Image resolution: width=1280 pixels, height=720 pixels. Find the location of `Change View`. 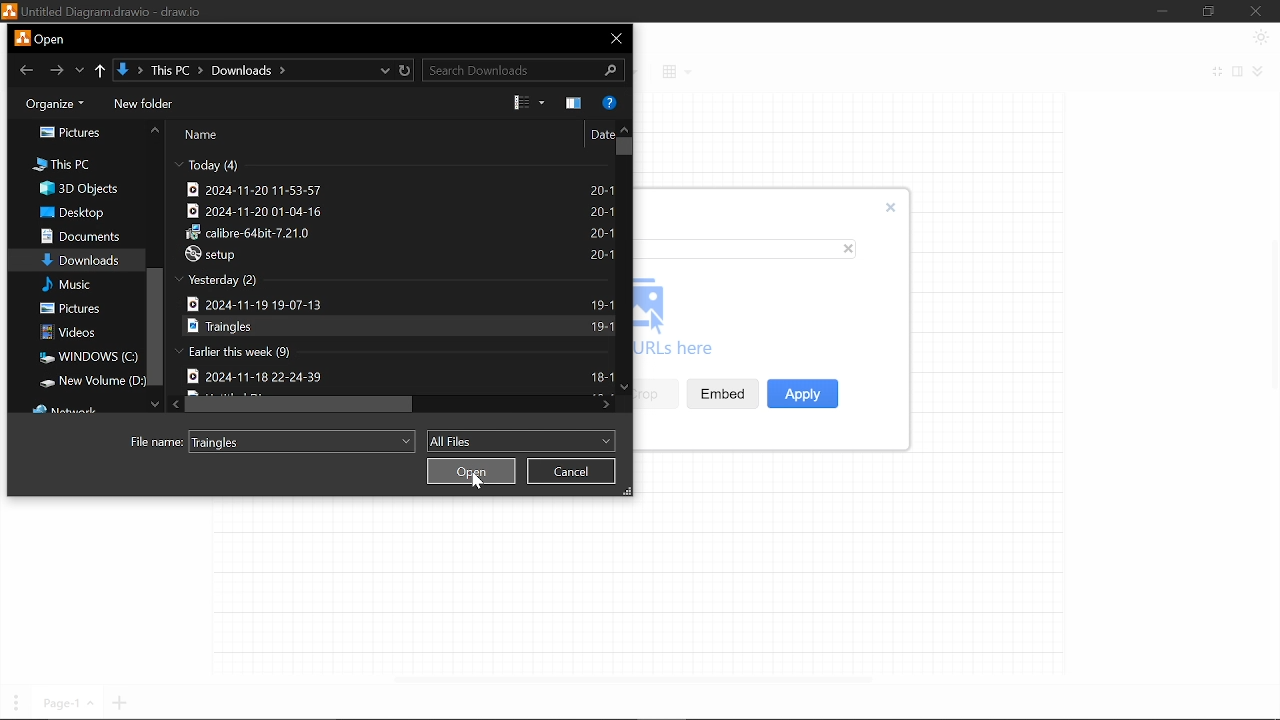

Change View is located at coordinates (513, 102).